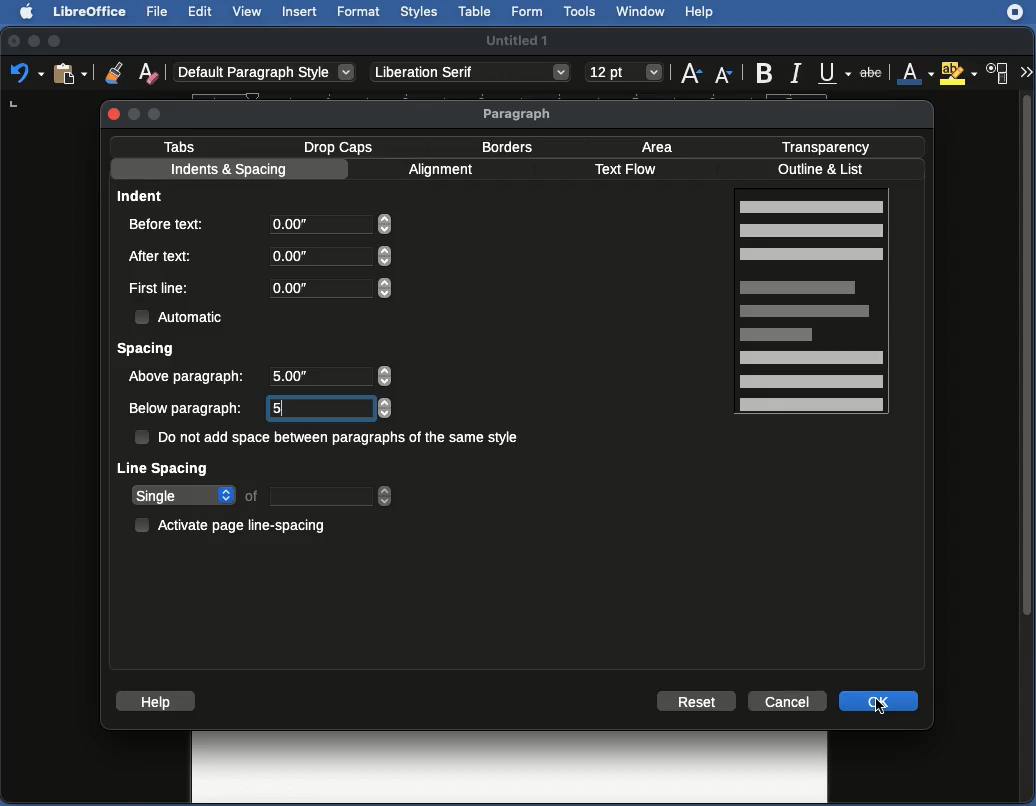 Image resolution: width=1036 pixels, height=806 pixels. What do you see at coordinates (155, 12) in the screenshot?
I see `File` at bounding box center [155, 12].